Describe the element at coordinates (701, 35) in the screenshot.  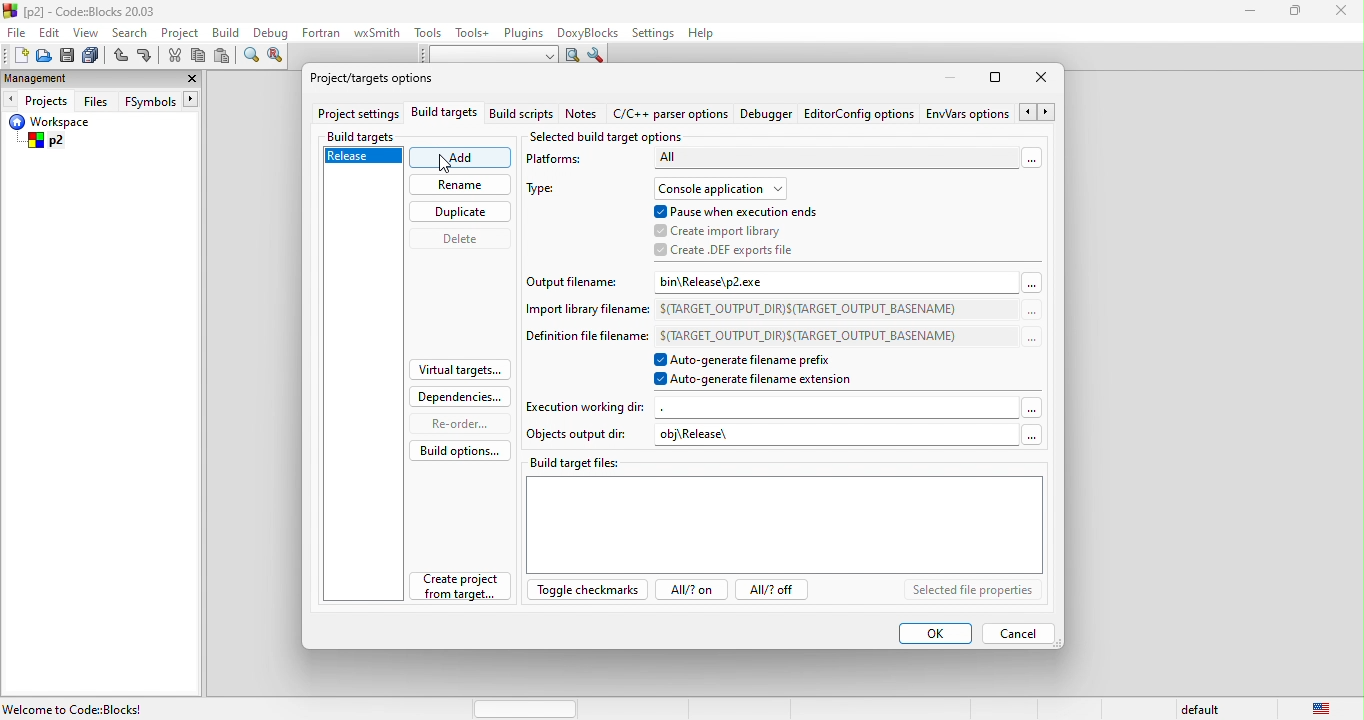
I see `help` at that location.